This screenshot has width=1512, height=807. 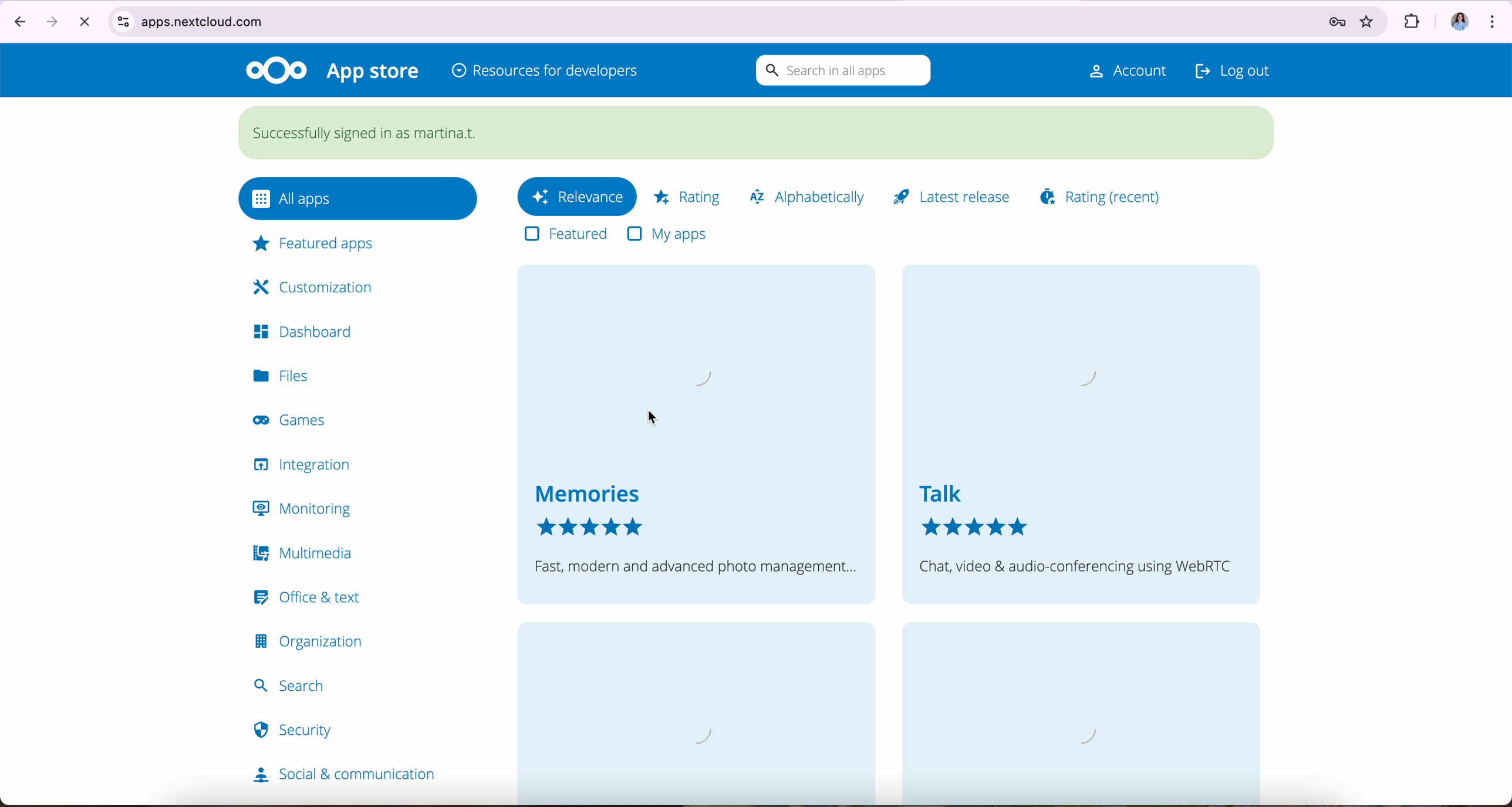 What do you see at coordinates (288, 376) in the screenshot?
I see `files` at bounding box center [288, 376].